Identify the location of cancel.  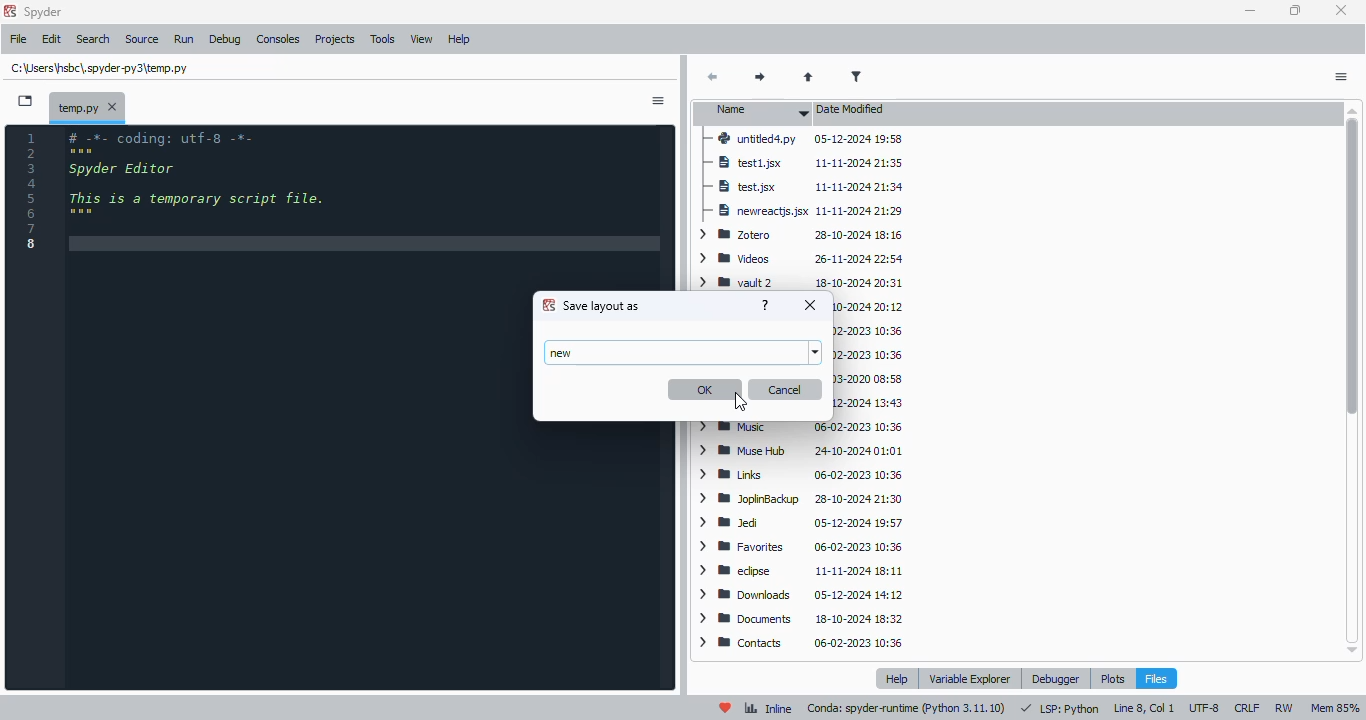
(785, 389).